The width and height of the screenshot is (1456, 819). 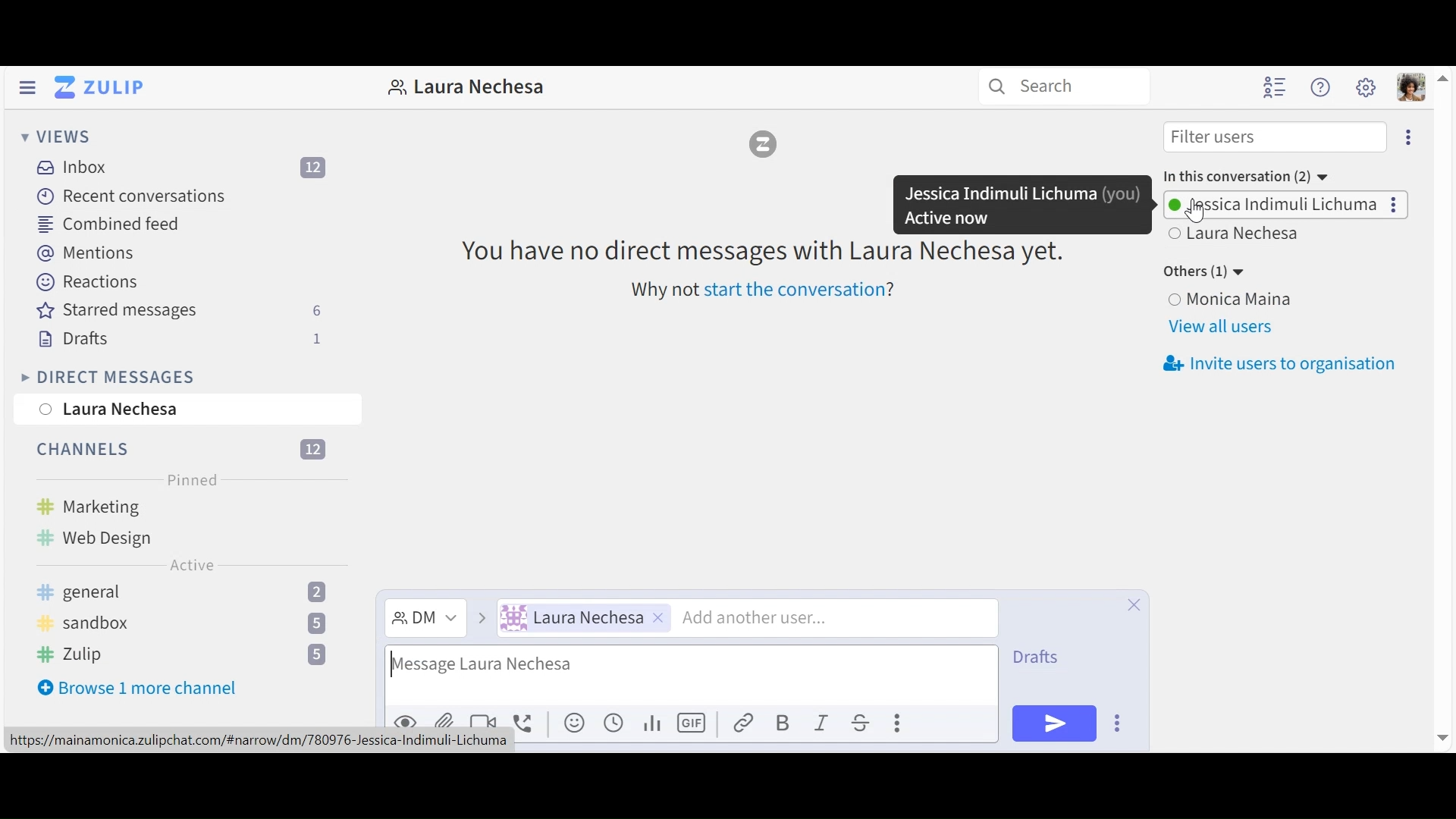 What do you see at coordinates (194, 566) in the screenshot?
I see `Active` at bounding box center [194, 566].